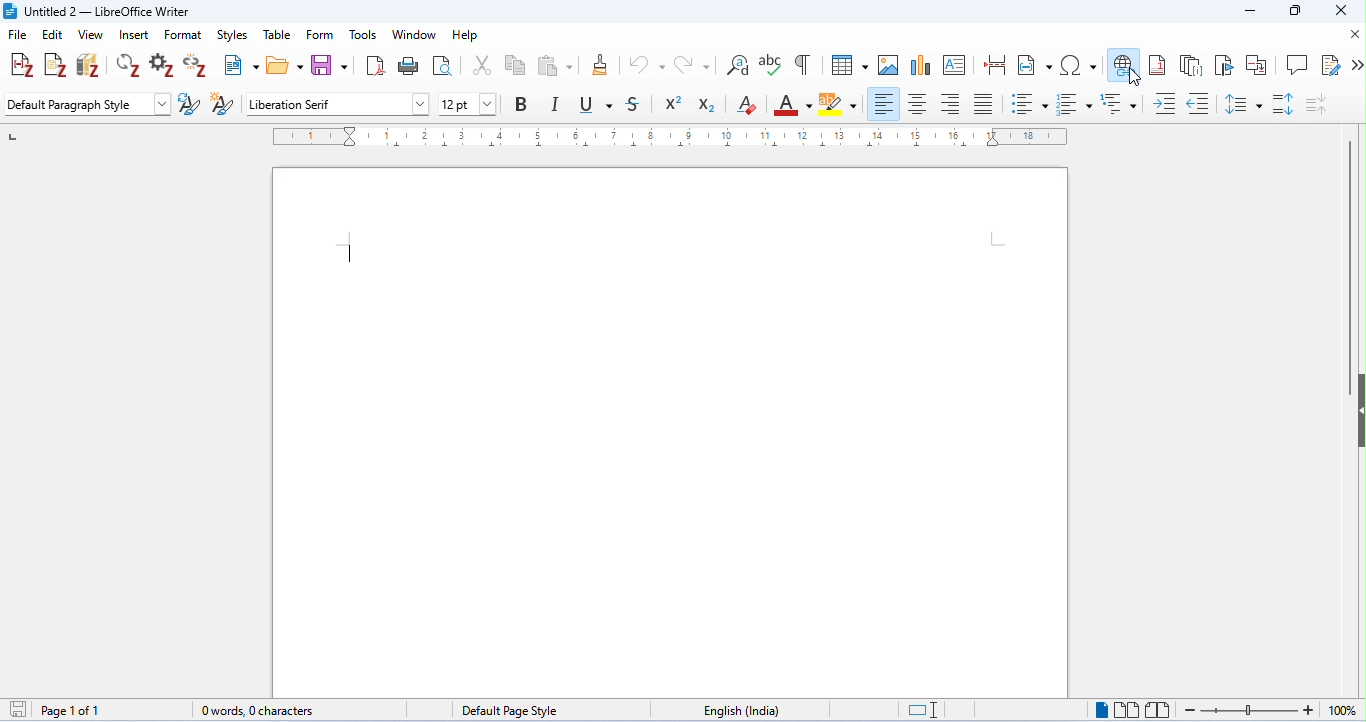 The height and width of the screenshot is (722, 1366). I want to click on insert endnote, so click(1193, 65).